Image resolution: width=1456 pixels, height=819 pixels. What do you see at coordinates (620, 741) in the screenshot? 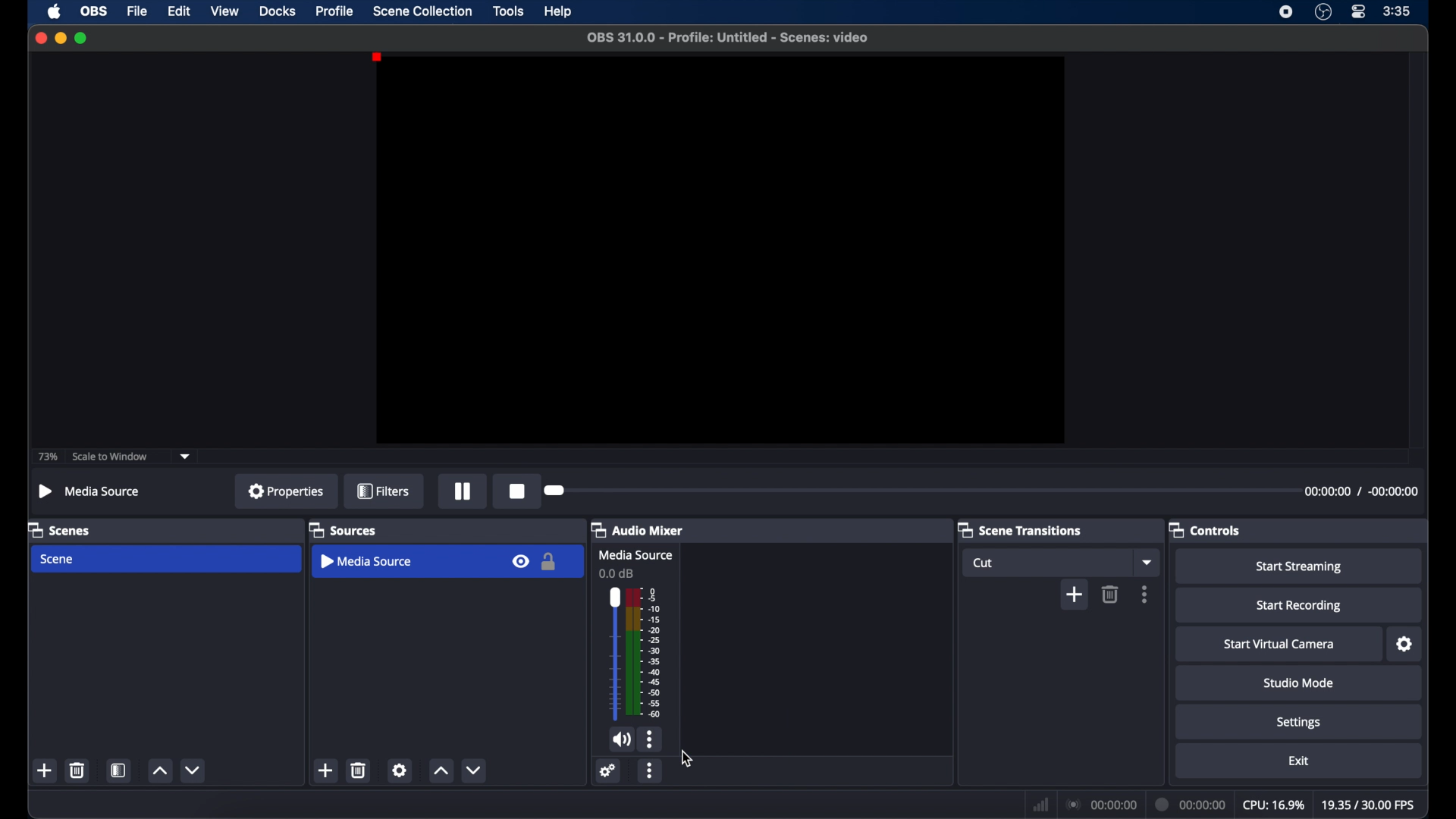
I see `Sound` at bounding box center [620, 741].